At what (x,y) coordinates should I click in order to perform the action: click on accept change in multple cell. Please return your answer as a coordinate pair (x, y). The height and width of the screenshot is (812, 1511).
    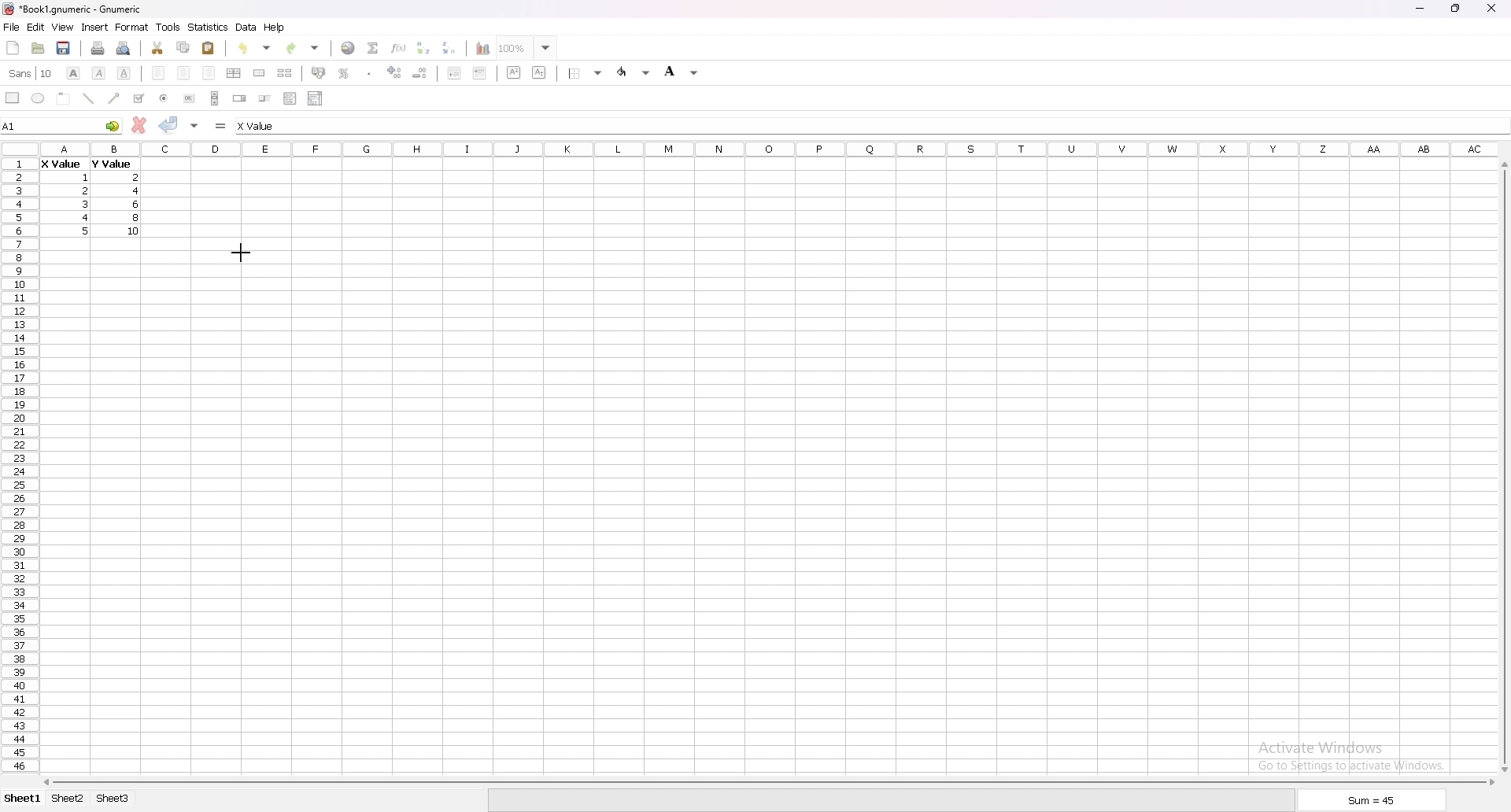
    Looking at the image, I should click on (196, 124).